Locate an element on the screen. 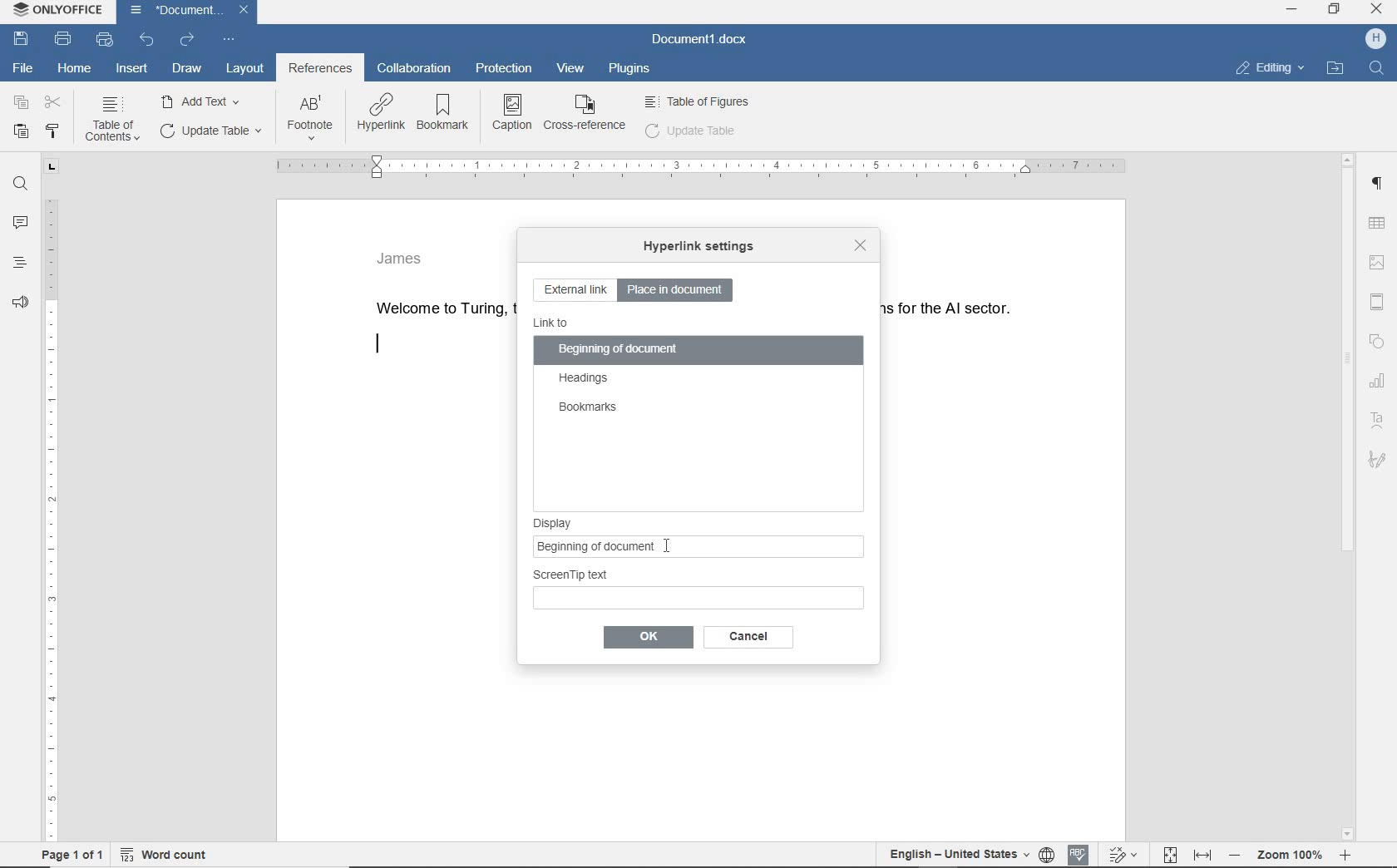 This screenshot has height=868, width=1397. Restore down is located at coordinates (1338, 13).